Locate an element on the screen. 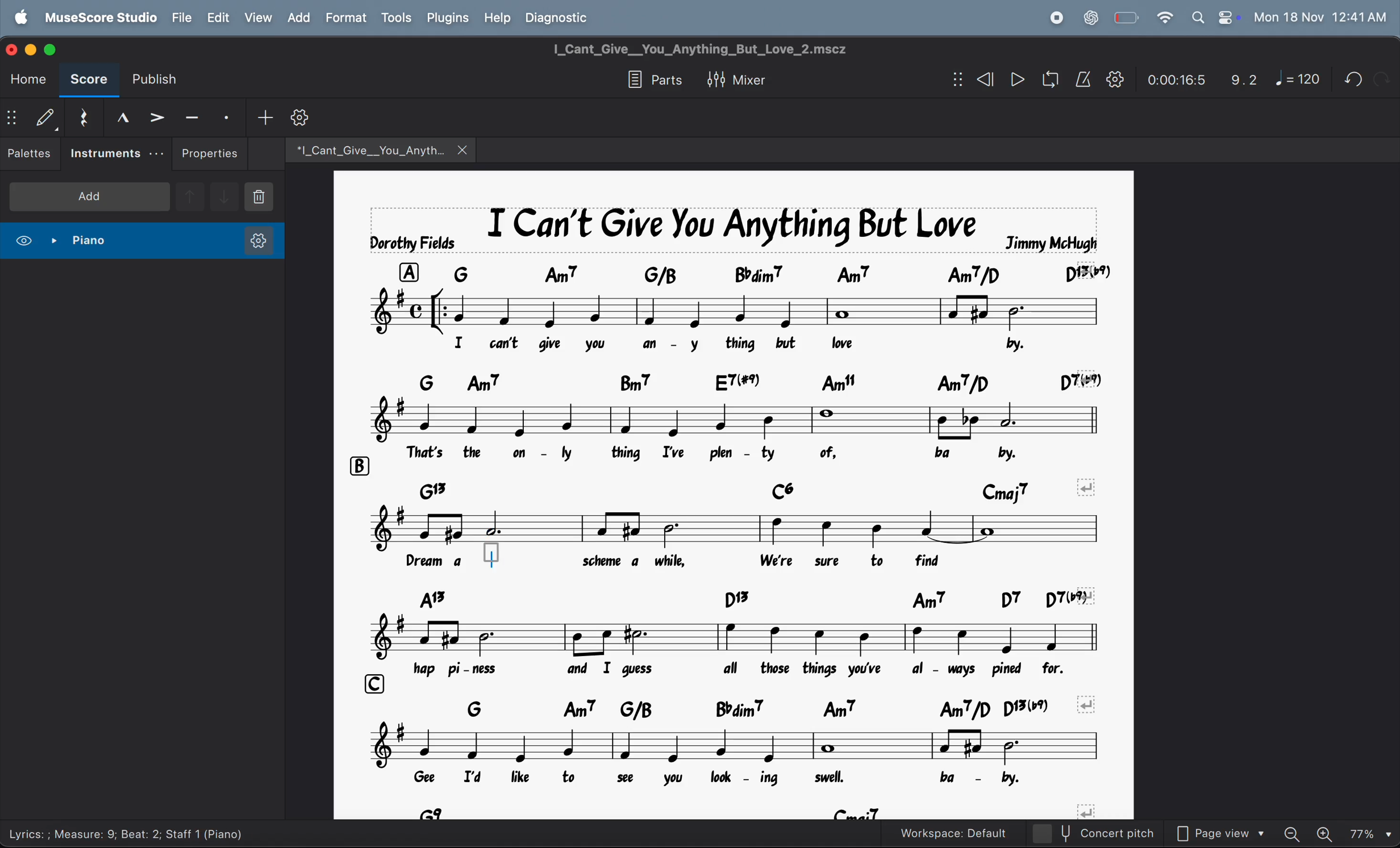 The image size is (1400, 848). tenuto is located at coordinates (188, 115).